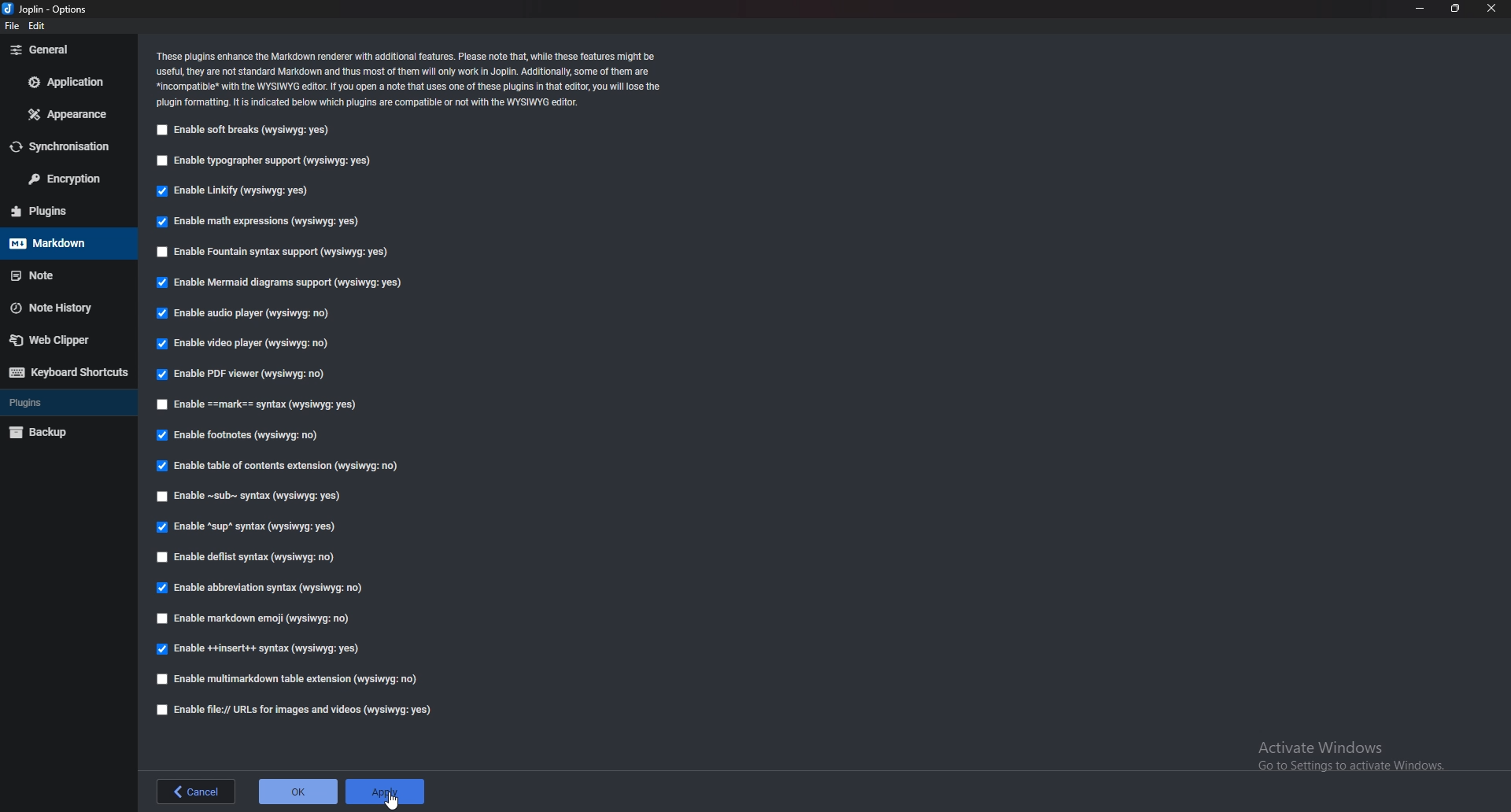  I want to click on Keyboard shortcuts, so click(67, 372).